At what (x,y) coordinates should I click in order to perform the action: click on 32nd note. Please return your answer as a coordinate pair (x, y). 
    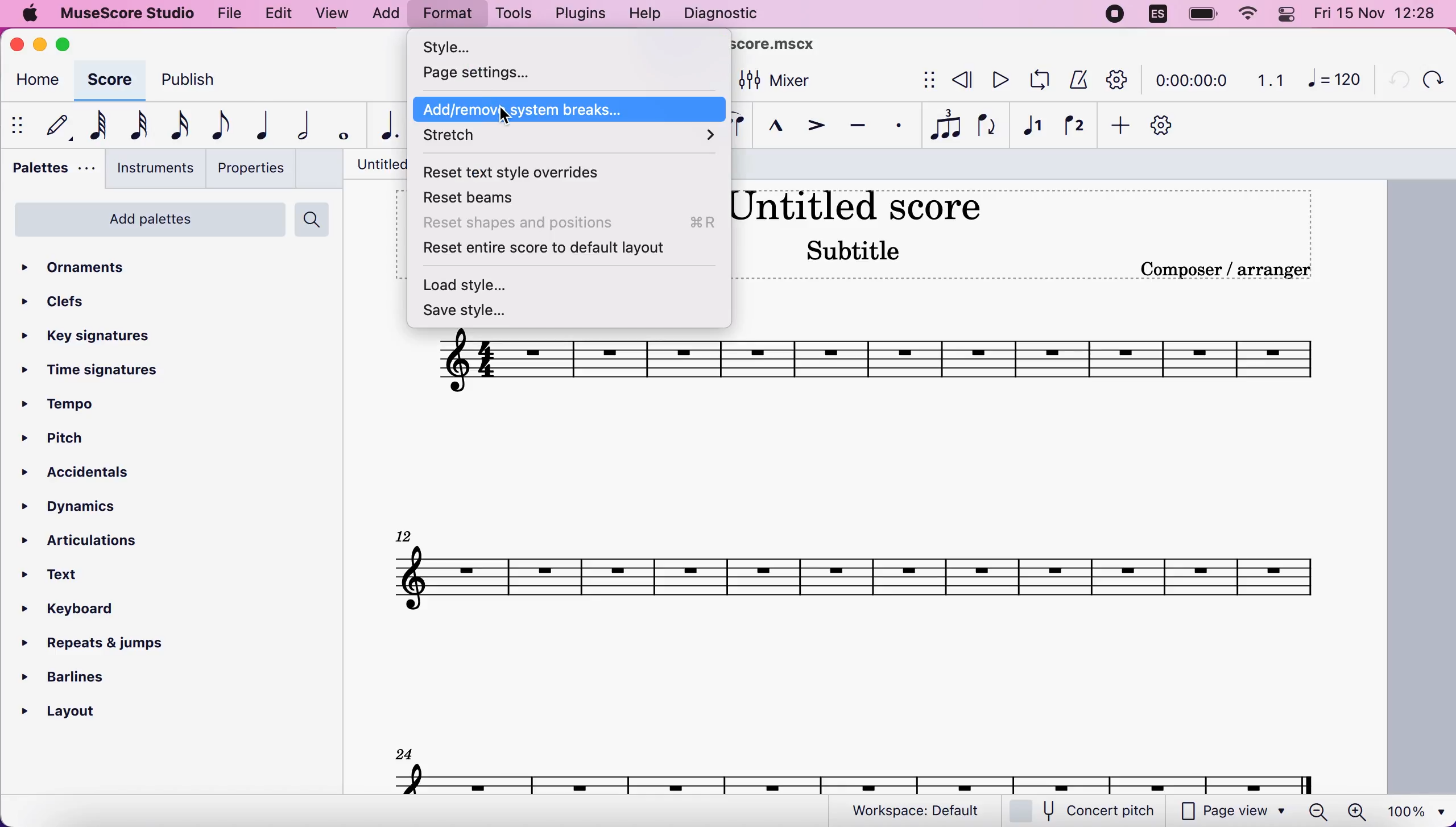
    Looking at the image, I should click on (140, 125).